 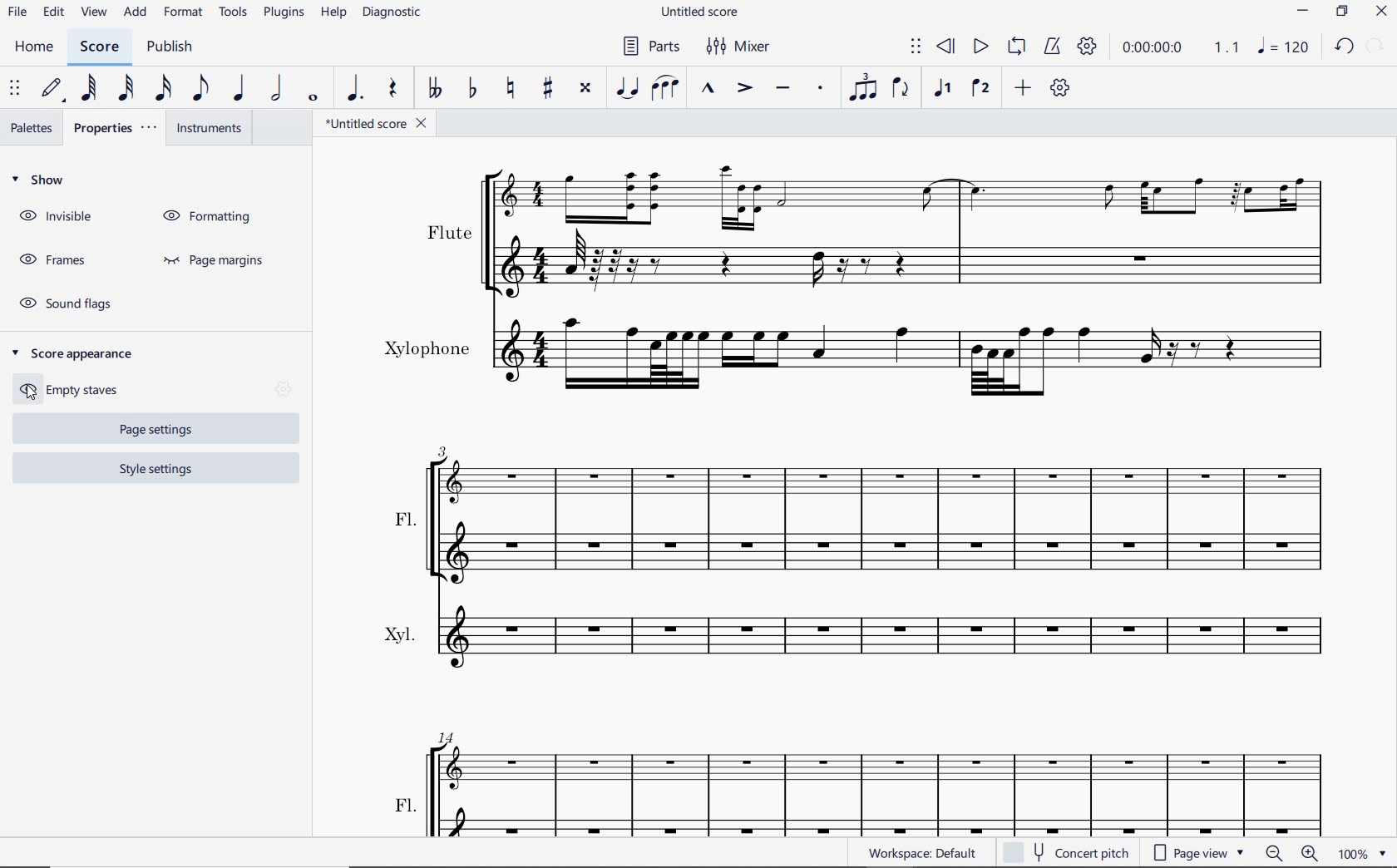 I want to click on SHOW, so click(x=39, y=181).